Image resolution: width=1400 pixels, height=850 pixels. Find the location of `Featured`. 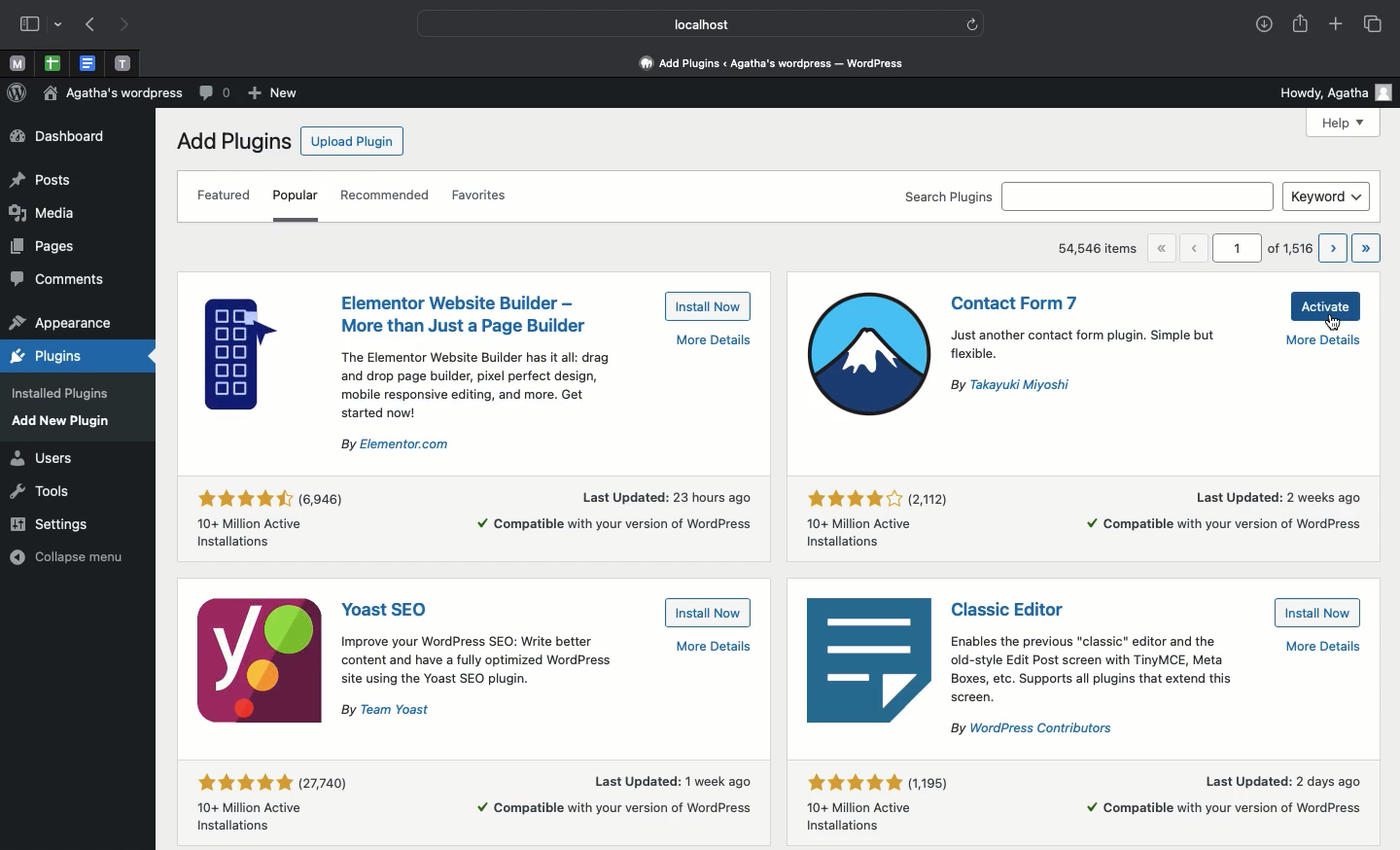

Featured is located at coordinates (227, 198).